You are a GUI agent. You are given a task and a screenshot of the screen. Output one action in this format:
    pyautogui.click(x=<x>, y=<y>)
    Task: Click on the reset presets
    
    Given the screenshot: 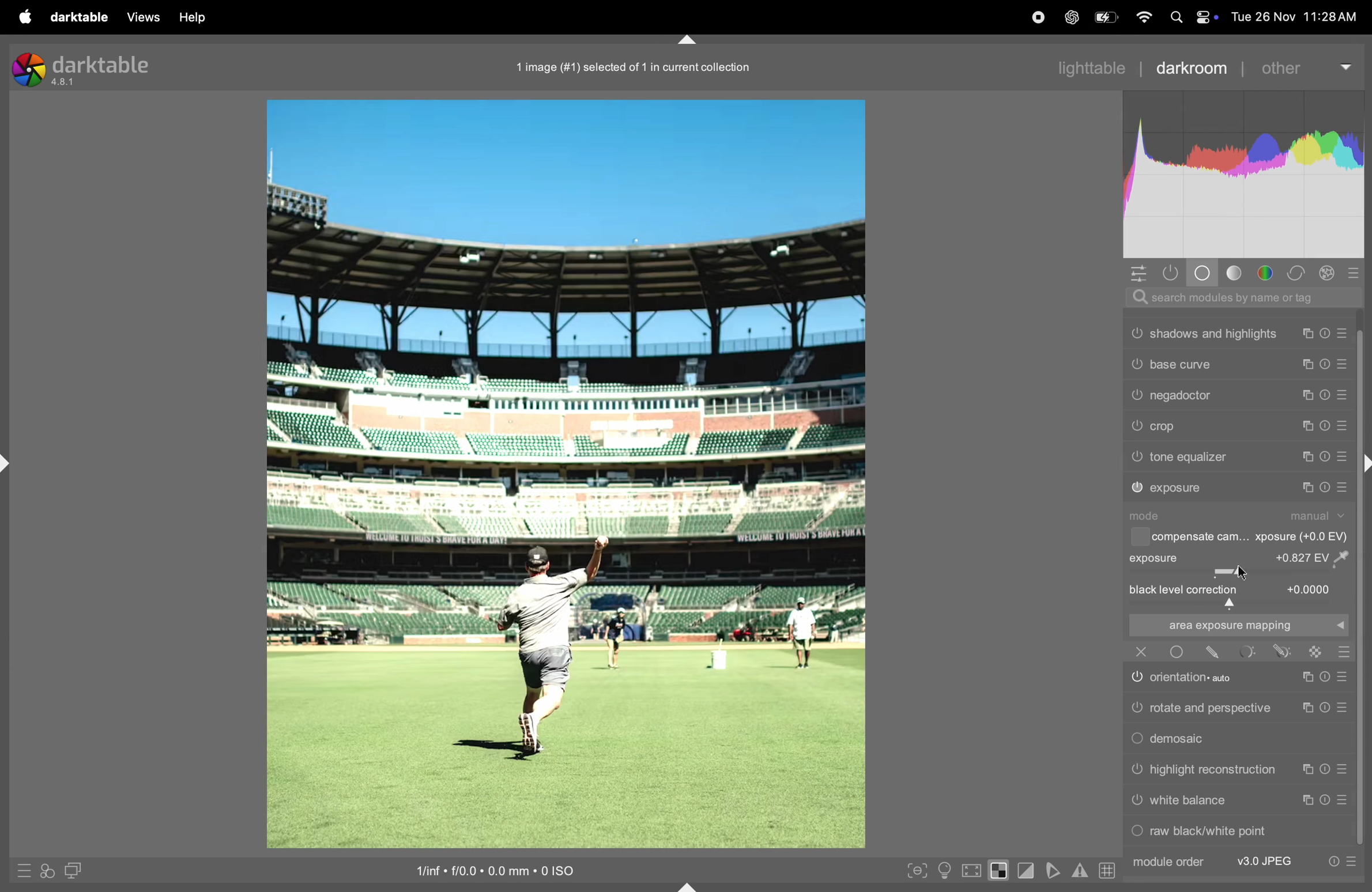 What is the action you would take?
    pyautogui.click(x=1324, y=487)
    